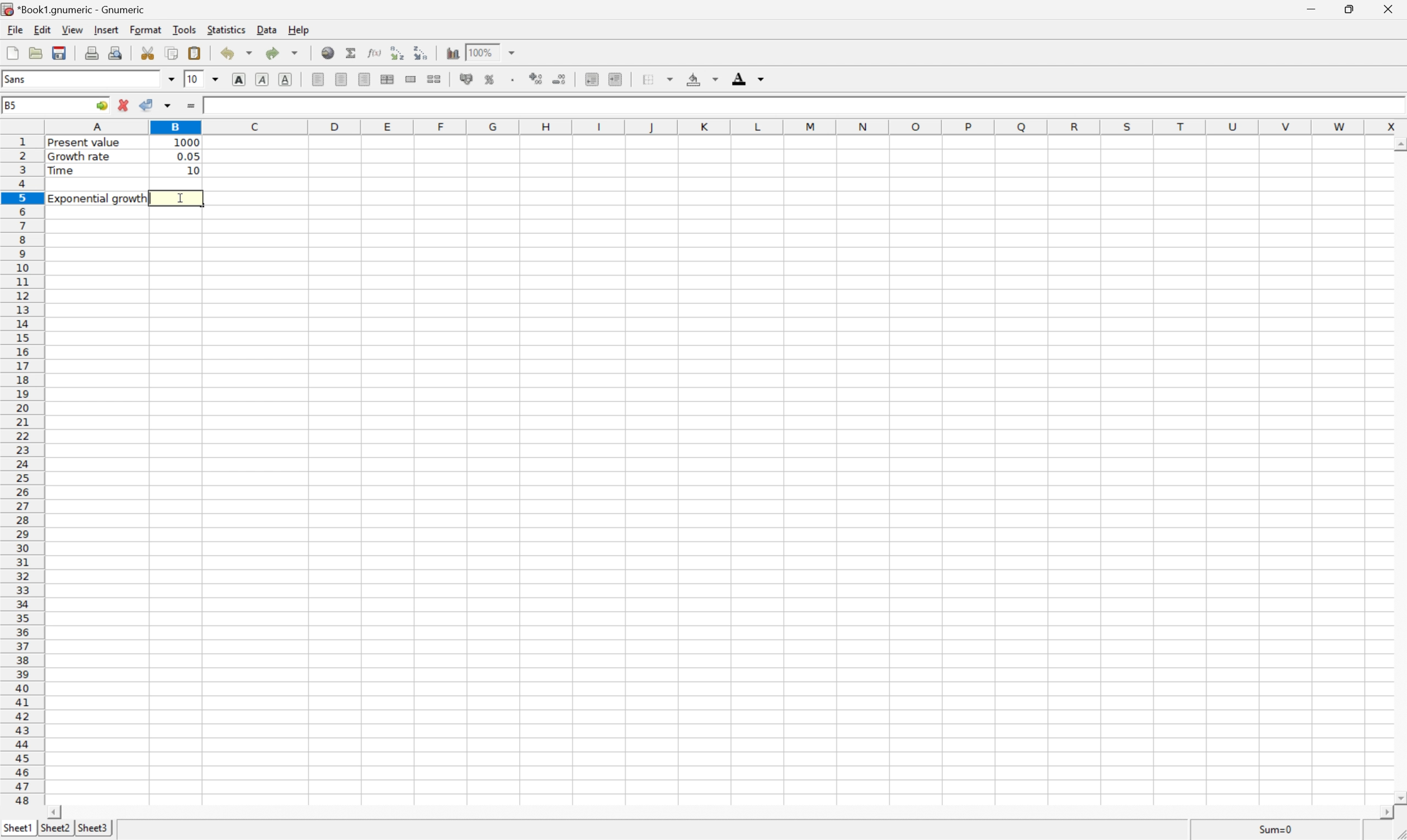 This screenshot has width=1407, height=840. Describe the element at coordinates (19, 830) in the screenshot. I see `Sheet1` at that location.